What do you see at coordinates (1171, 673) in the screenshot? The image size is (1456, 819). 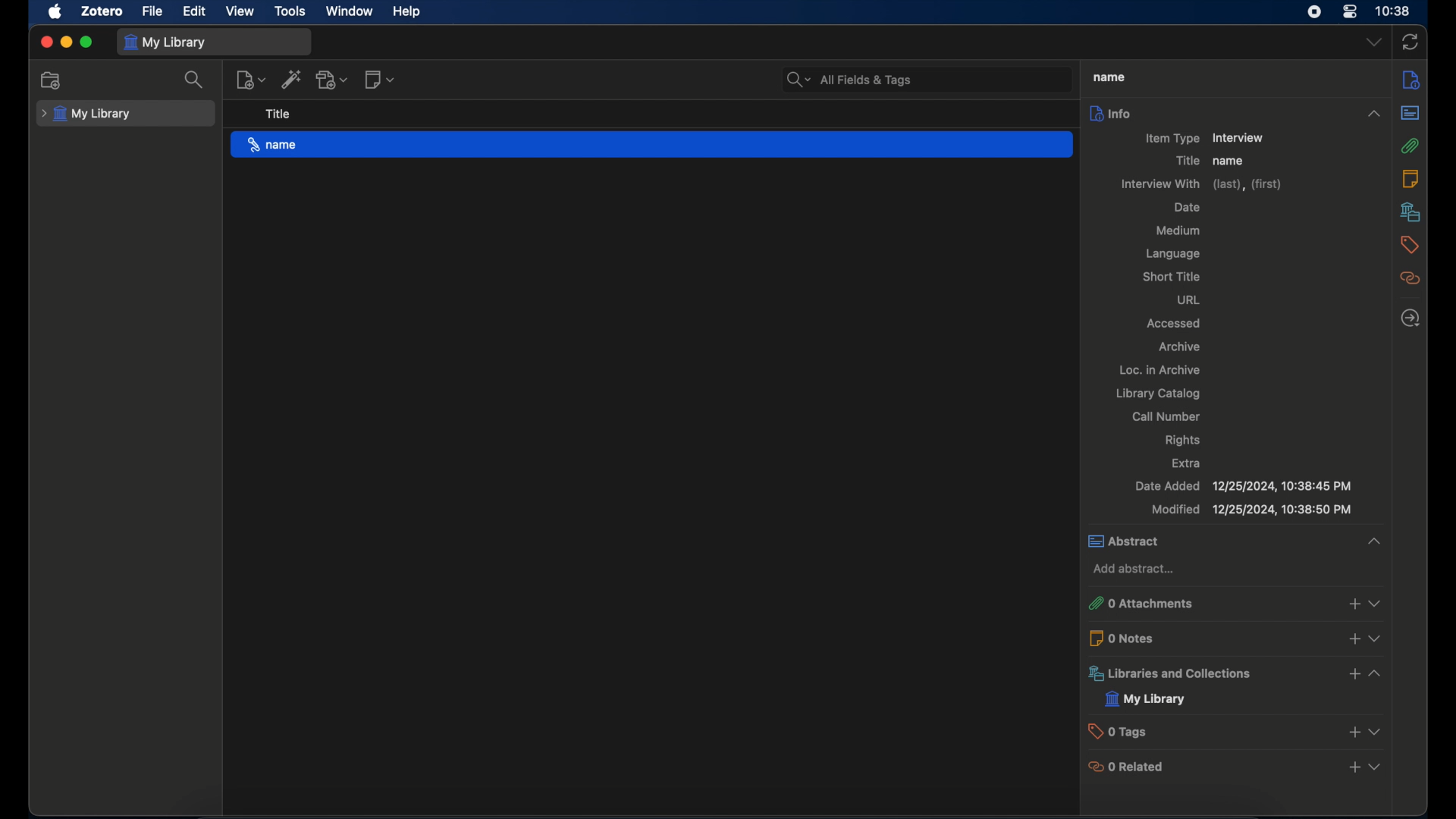 I see `libraries and collections` at bounding box center [1171, 673].